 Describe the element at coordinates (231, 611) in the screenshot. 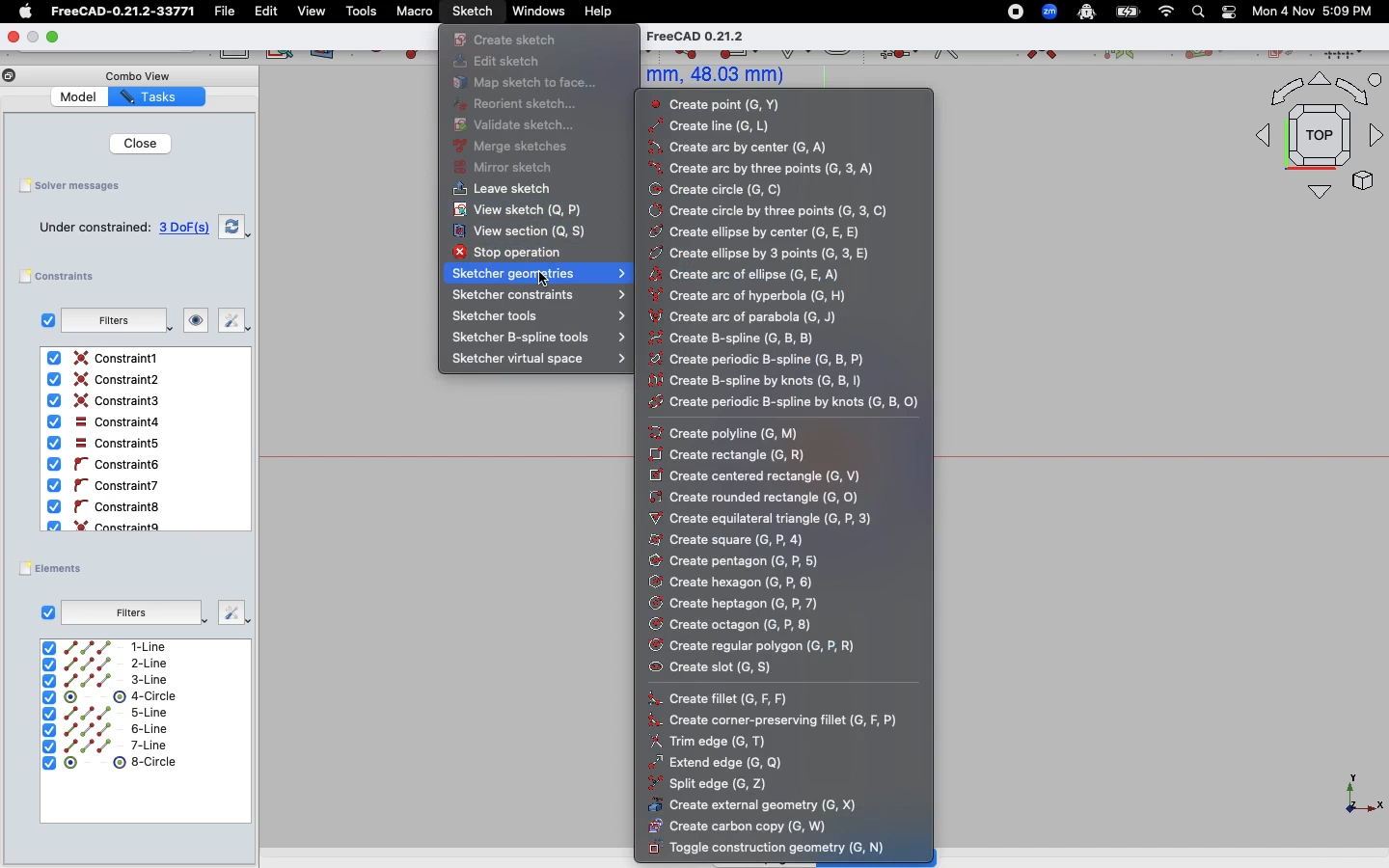

I see `Fix` at that location.